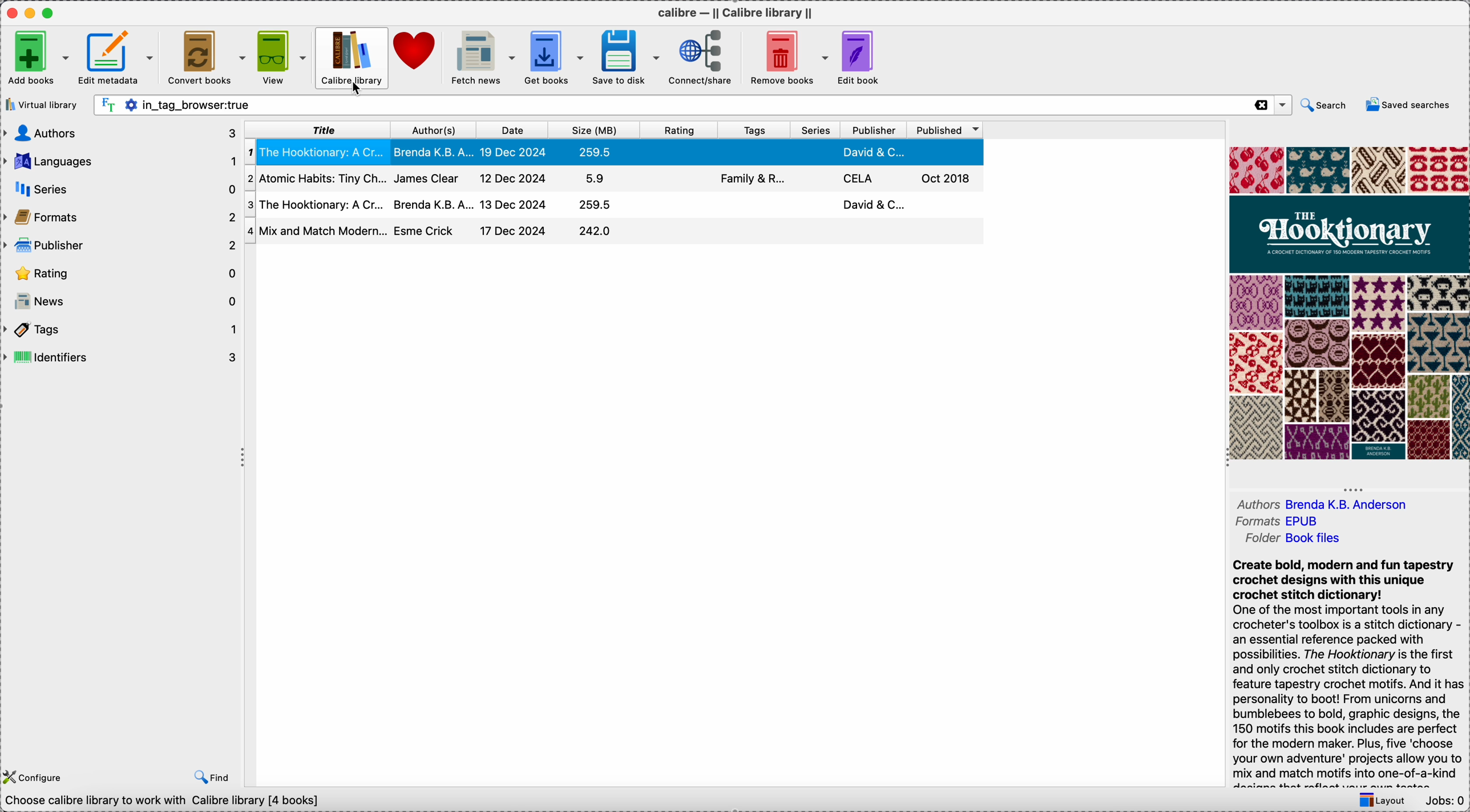  What do you see at coordinates (282, 58) in the screenshot?
I see `view` at bounding box center [282, 58].